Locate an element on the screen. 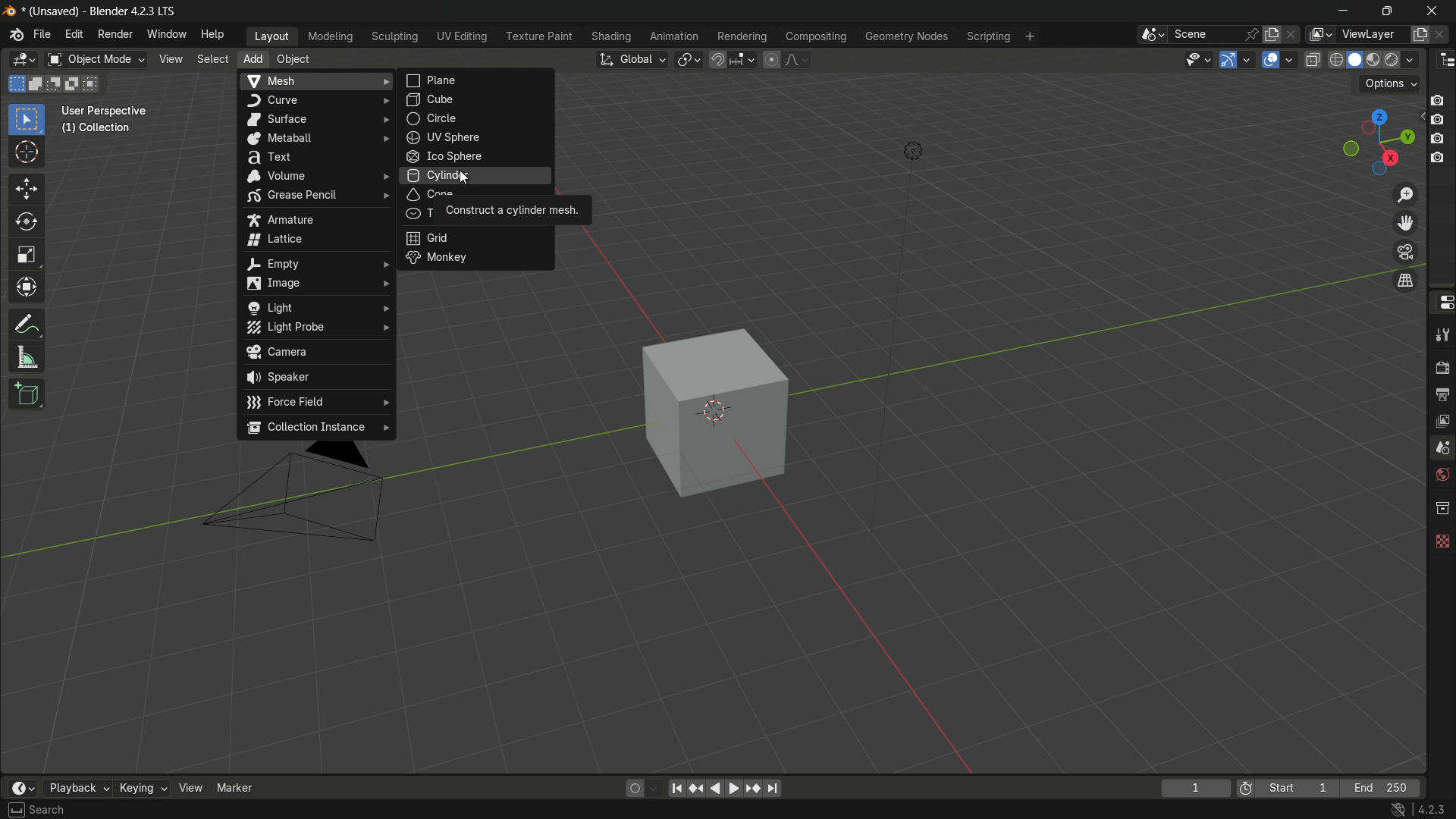  scene name is located at coordinates (1205, 34).